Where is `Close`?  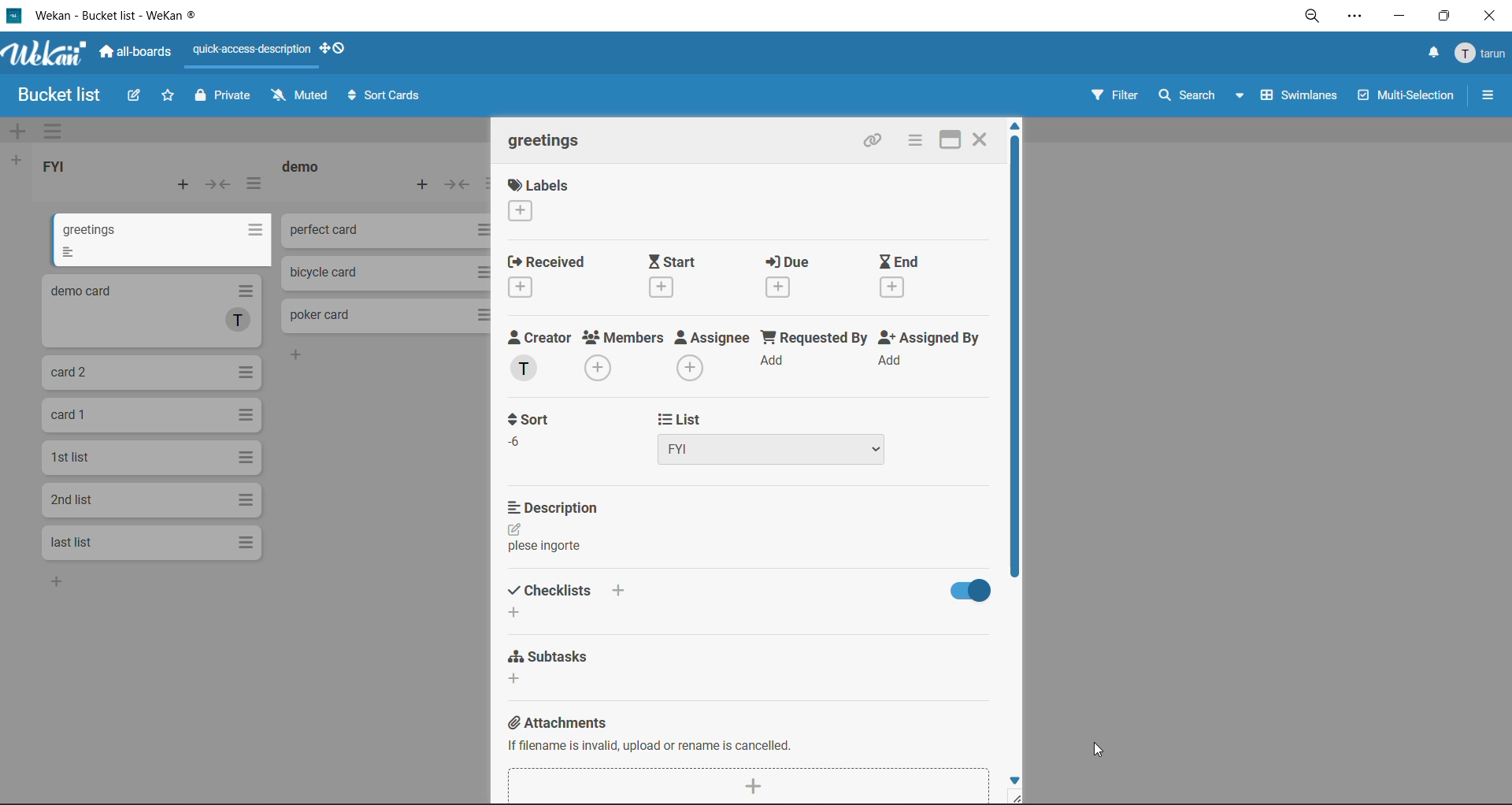 Close is located at coordinates (985, 139).